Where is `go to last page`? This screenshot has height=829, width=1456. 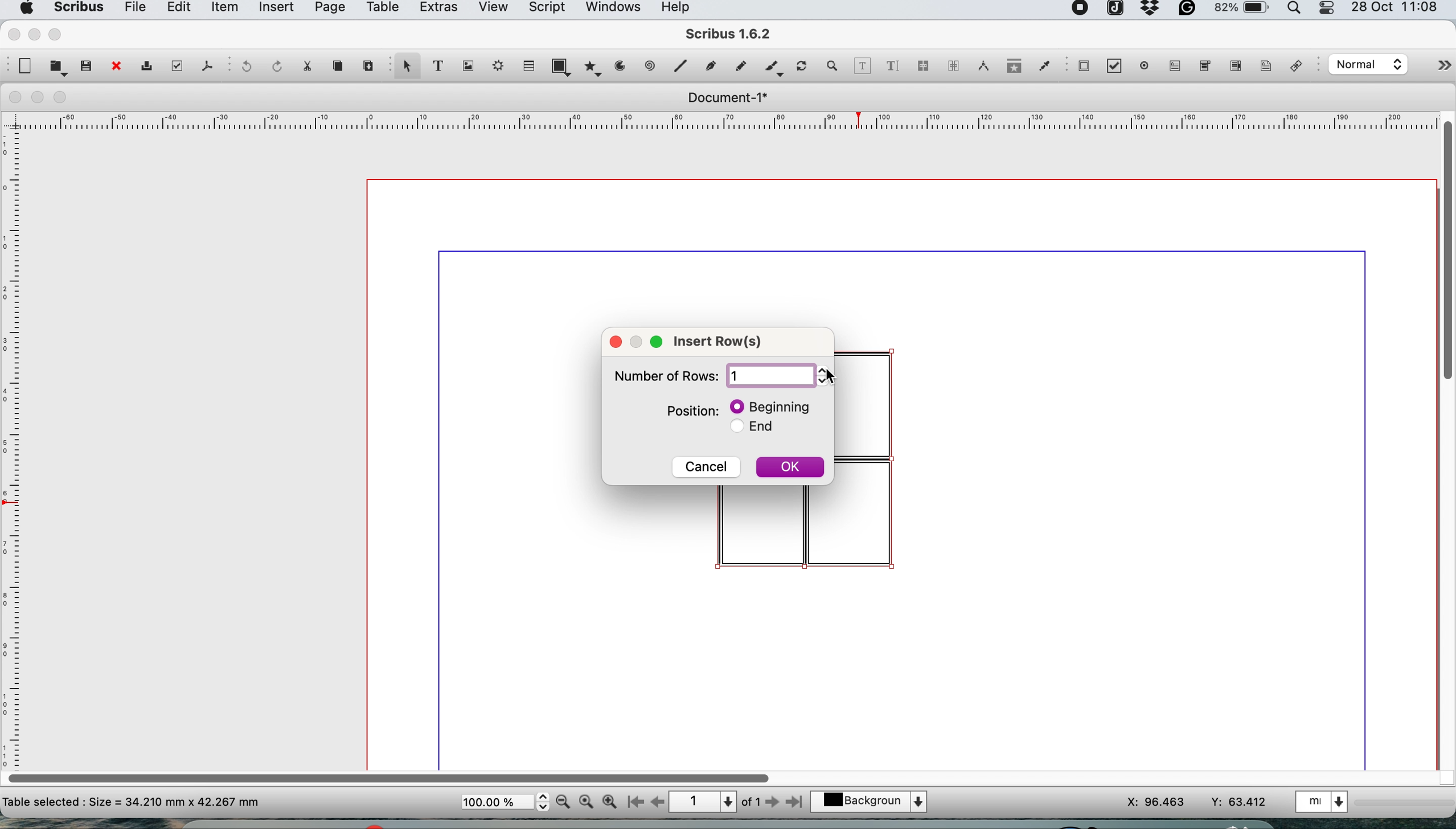 go to last page is located at coordinates (797, 801).